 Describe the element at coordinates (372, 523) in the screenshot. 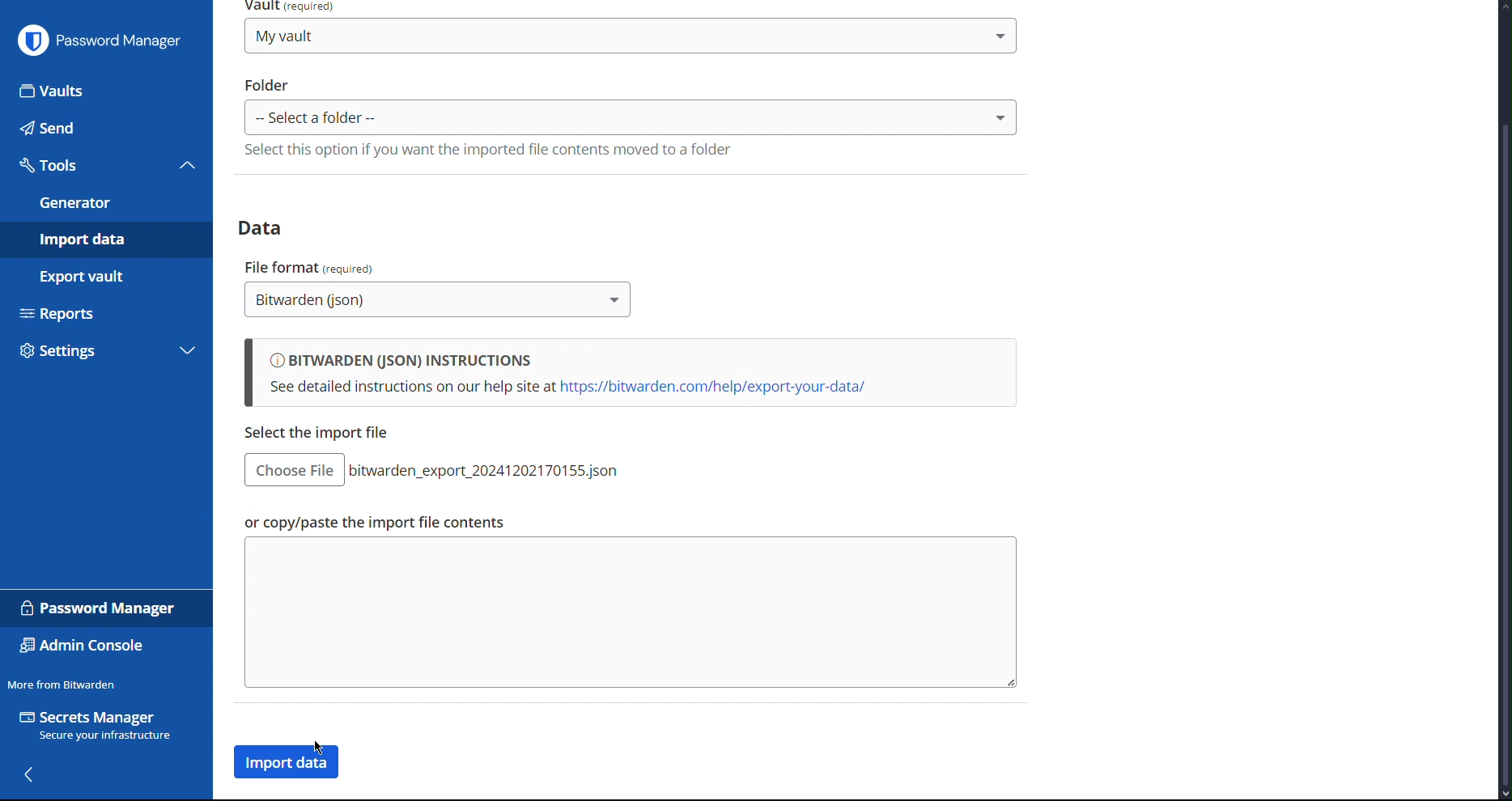

I see `or copy/paste the import file contents` at that location.